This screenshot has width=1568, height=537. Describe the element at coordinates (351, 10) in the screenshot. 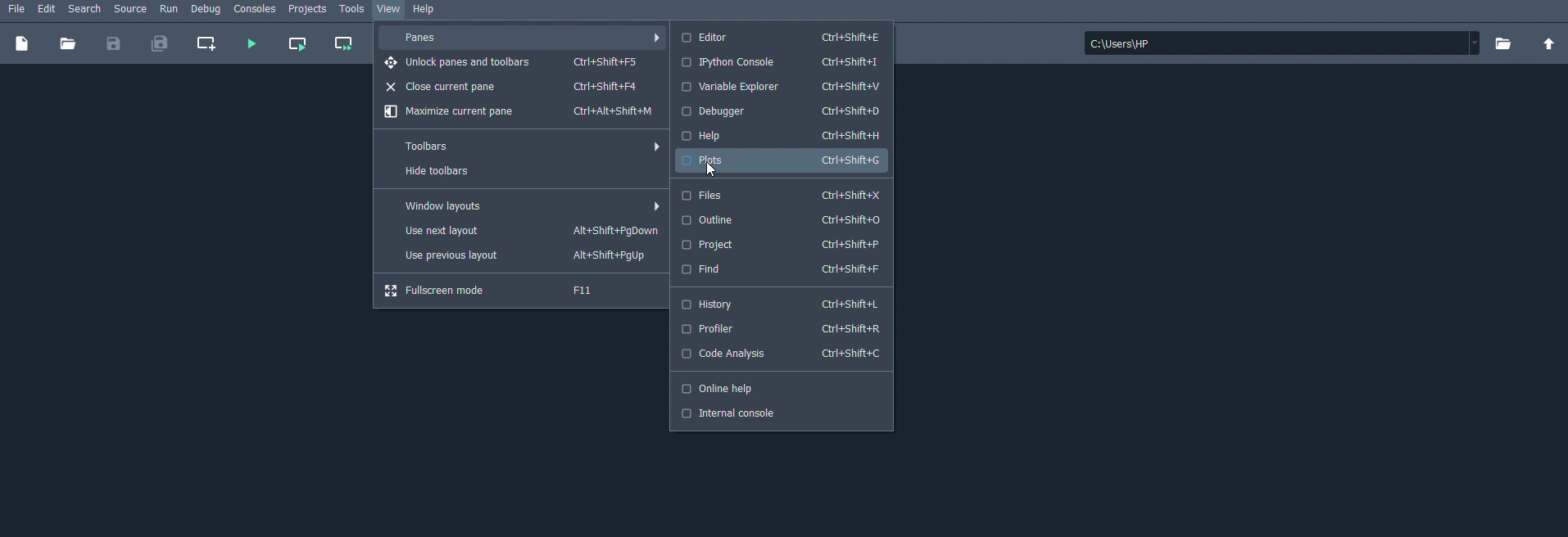

I see `Tools` at that location.